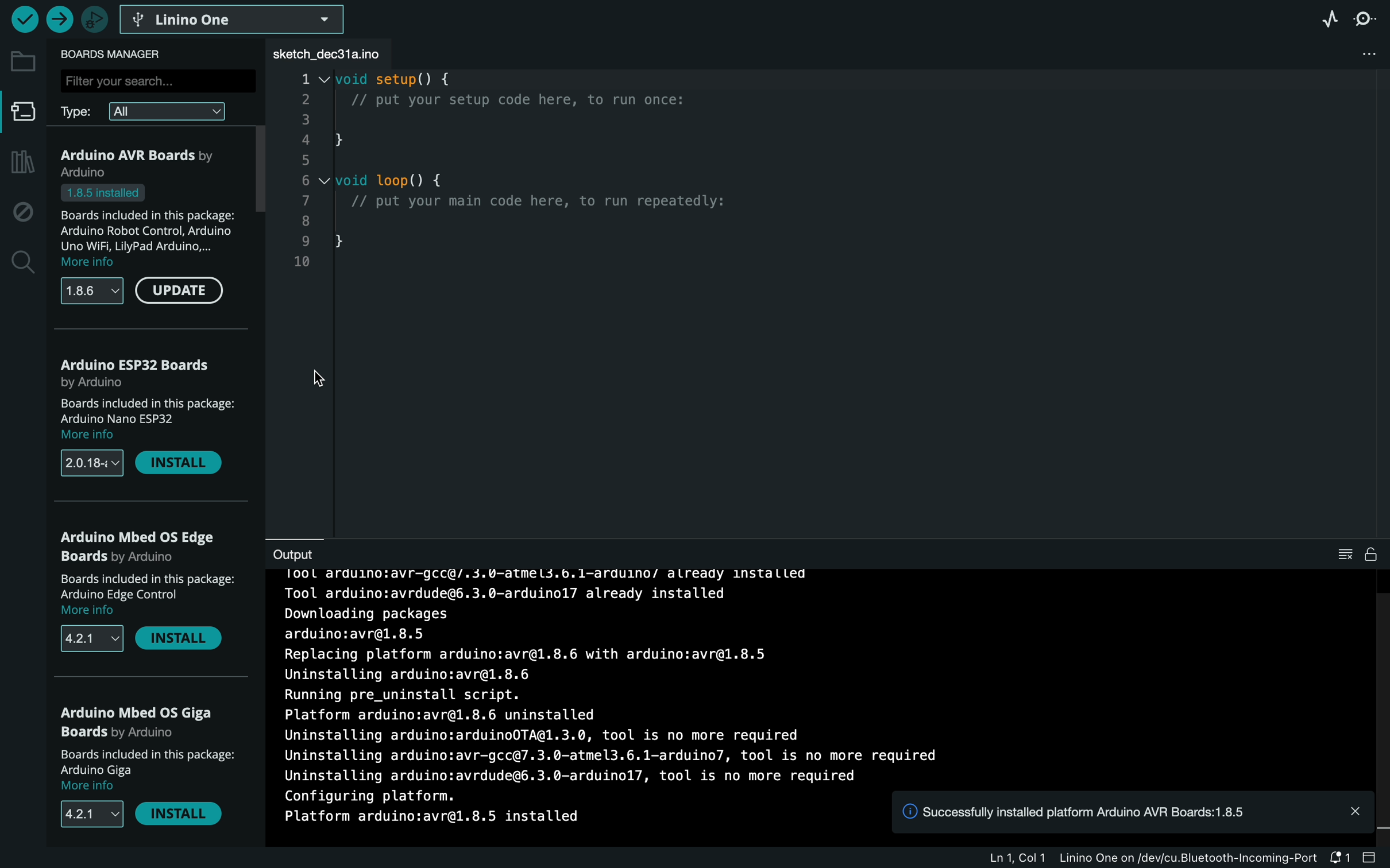 Image resolution: width=1390 pixels, height=868 pixels. What do you see at coordinates (305, 553) in the screenshot?
I see `output` at bounding box center [305, 553].